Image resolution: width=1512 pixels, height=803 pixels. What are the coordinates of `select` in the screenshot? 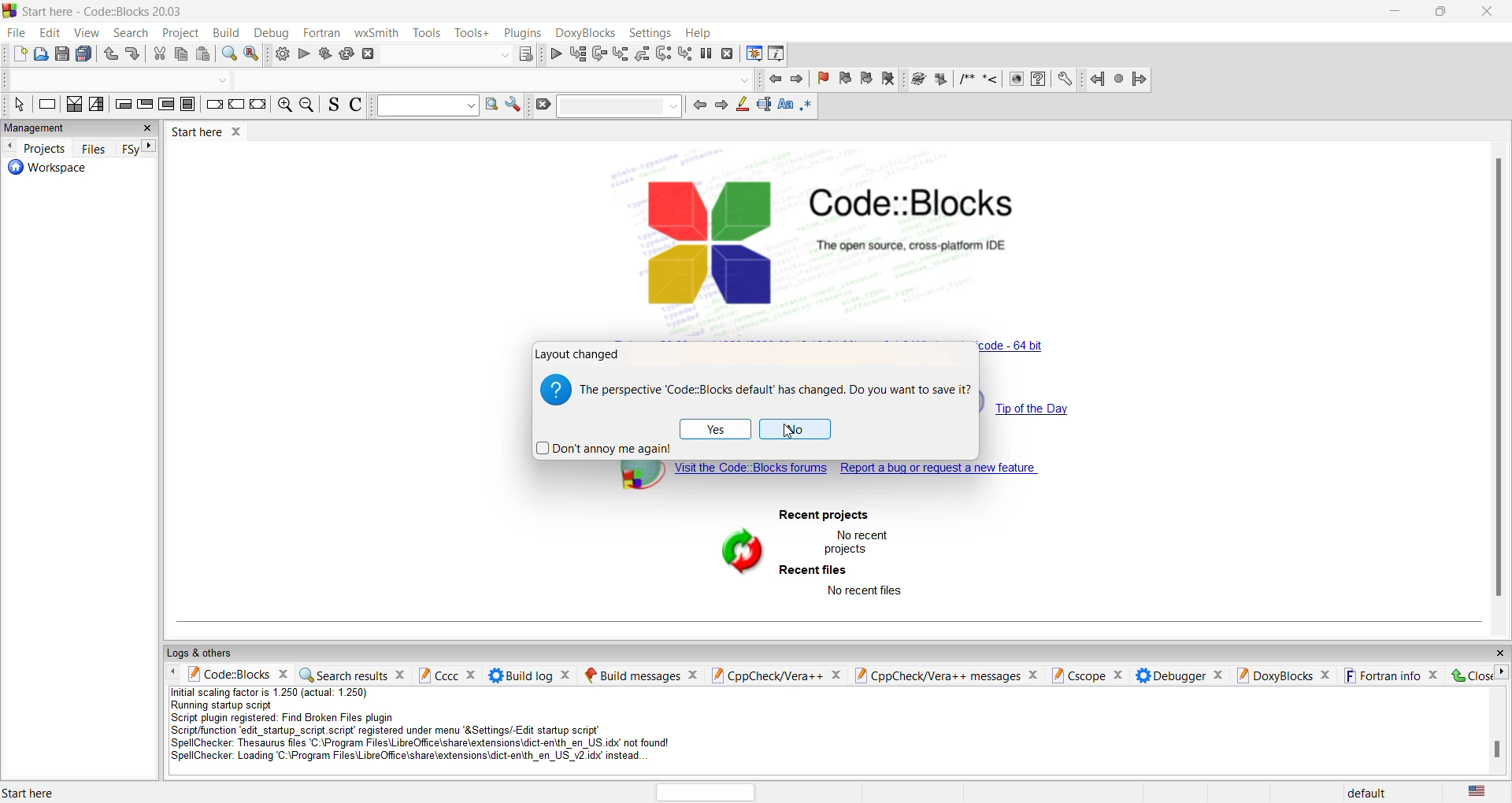 It's located at (20, 105).